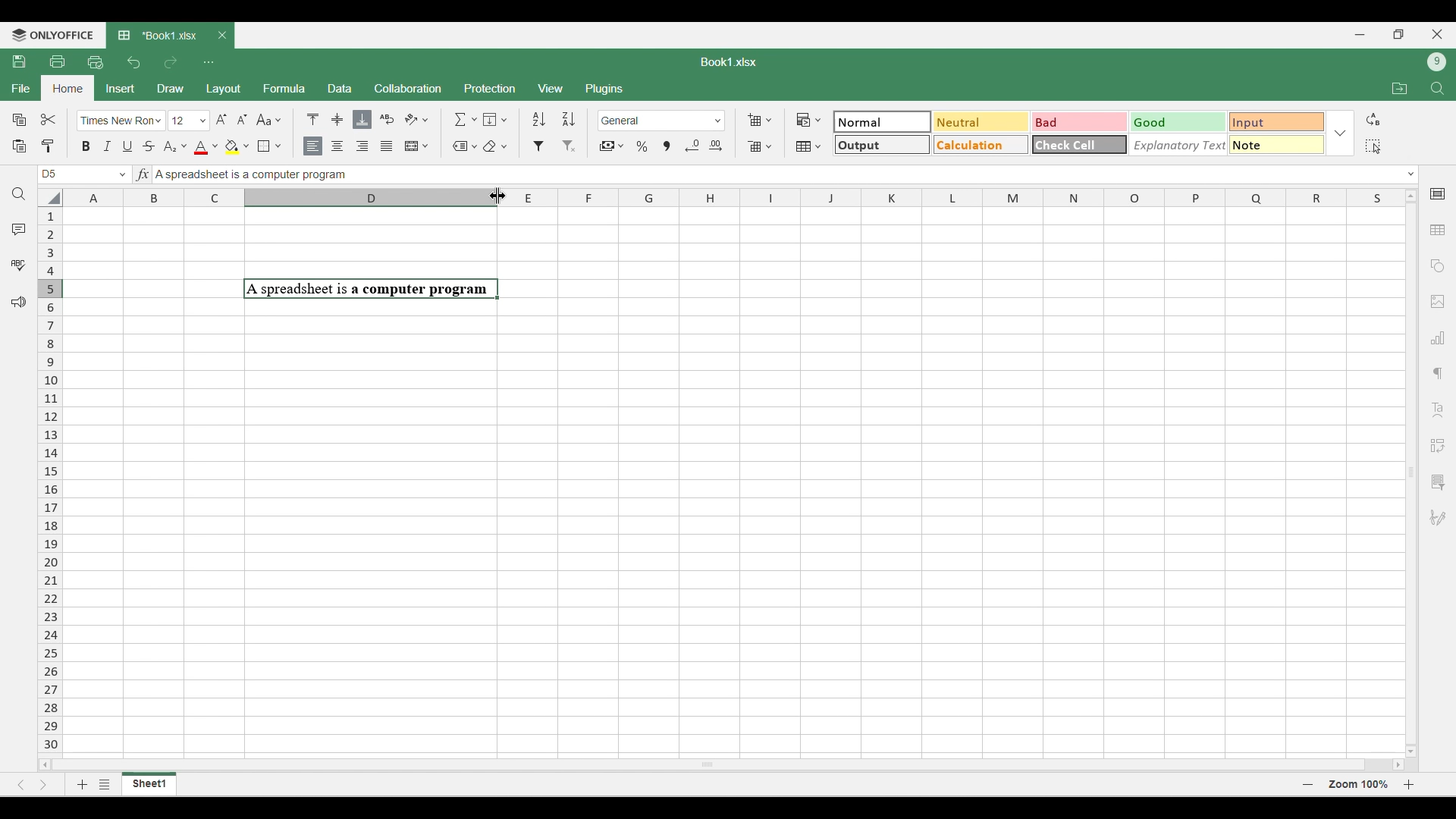 The height and width of the screenshot is (819, 1456). I want to click on Undo, so click(133, 62).